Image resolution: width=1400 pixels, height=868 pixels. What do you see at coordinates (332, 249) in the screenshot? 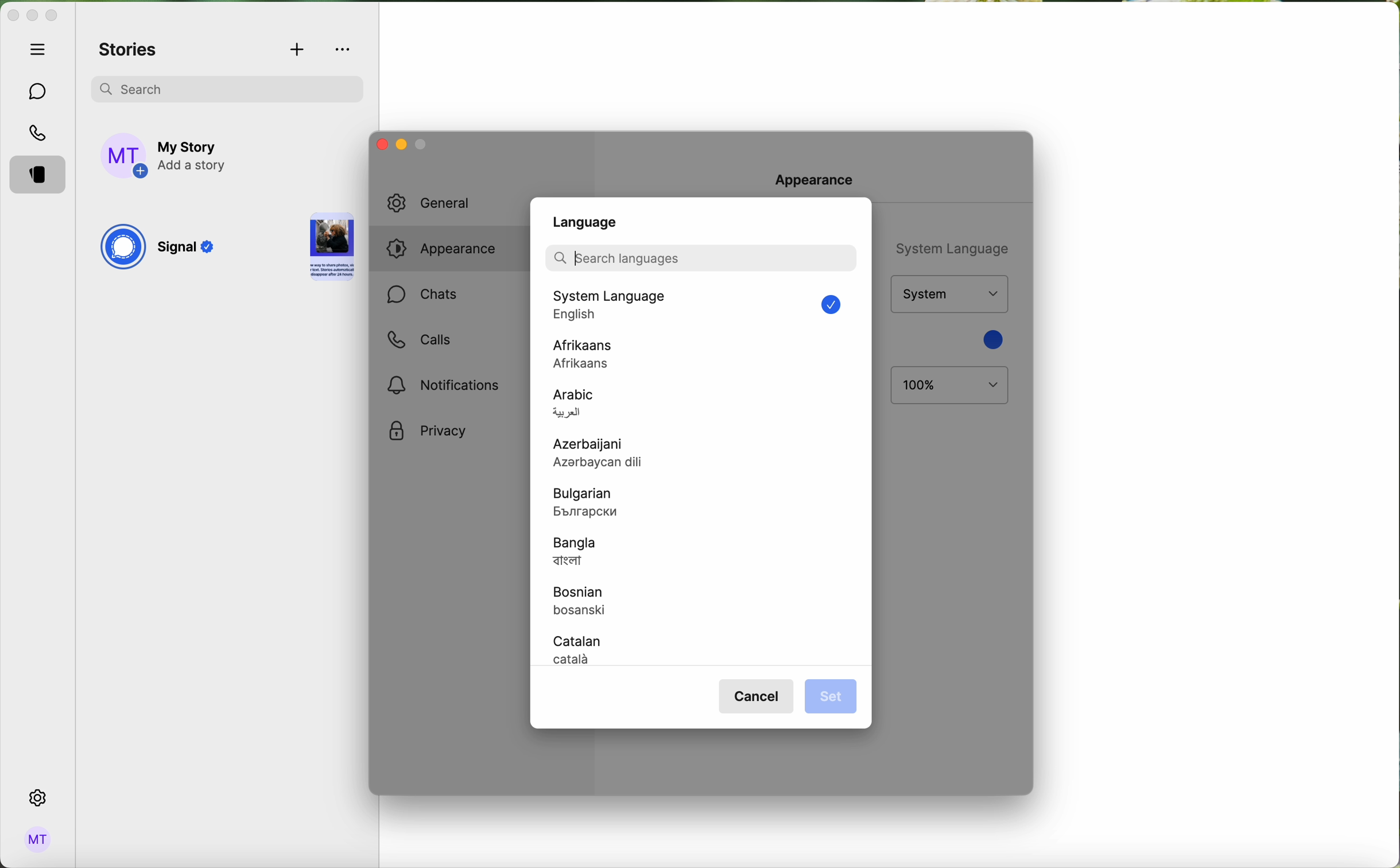
I see `story` at bounding box center [332, 249].